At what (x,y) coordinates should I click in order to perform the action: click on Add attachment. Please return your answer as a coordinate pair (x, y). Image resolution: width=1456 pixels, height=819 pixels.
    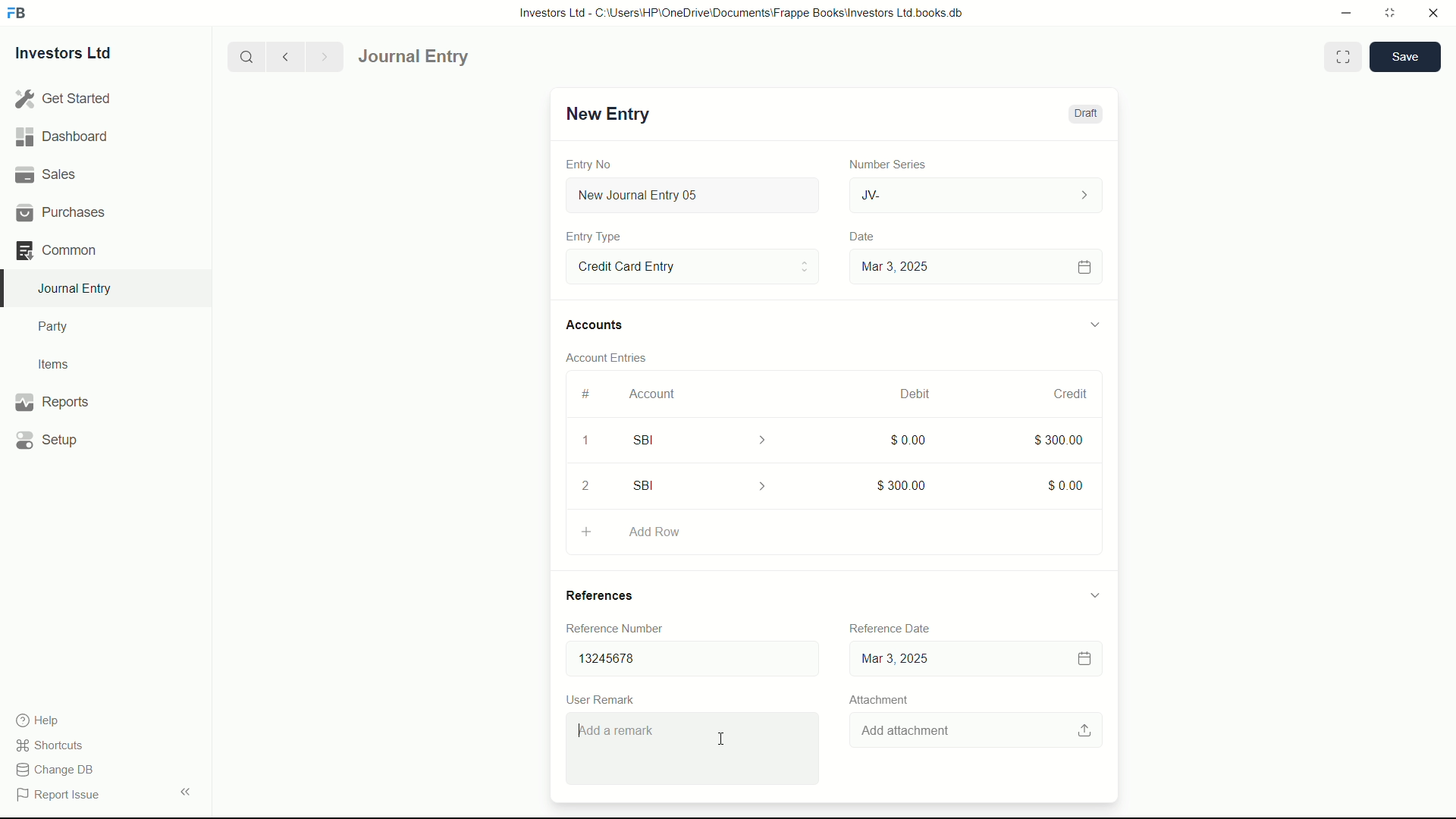
    Looking at the image, I should click on (977, 731).